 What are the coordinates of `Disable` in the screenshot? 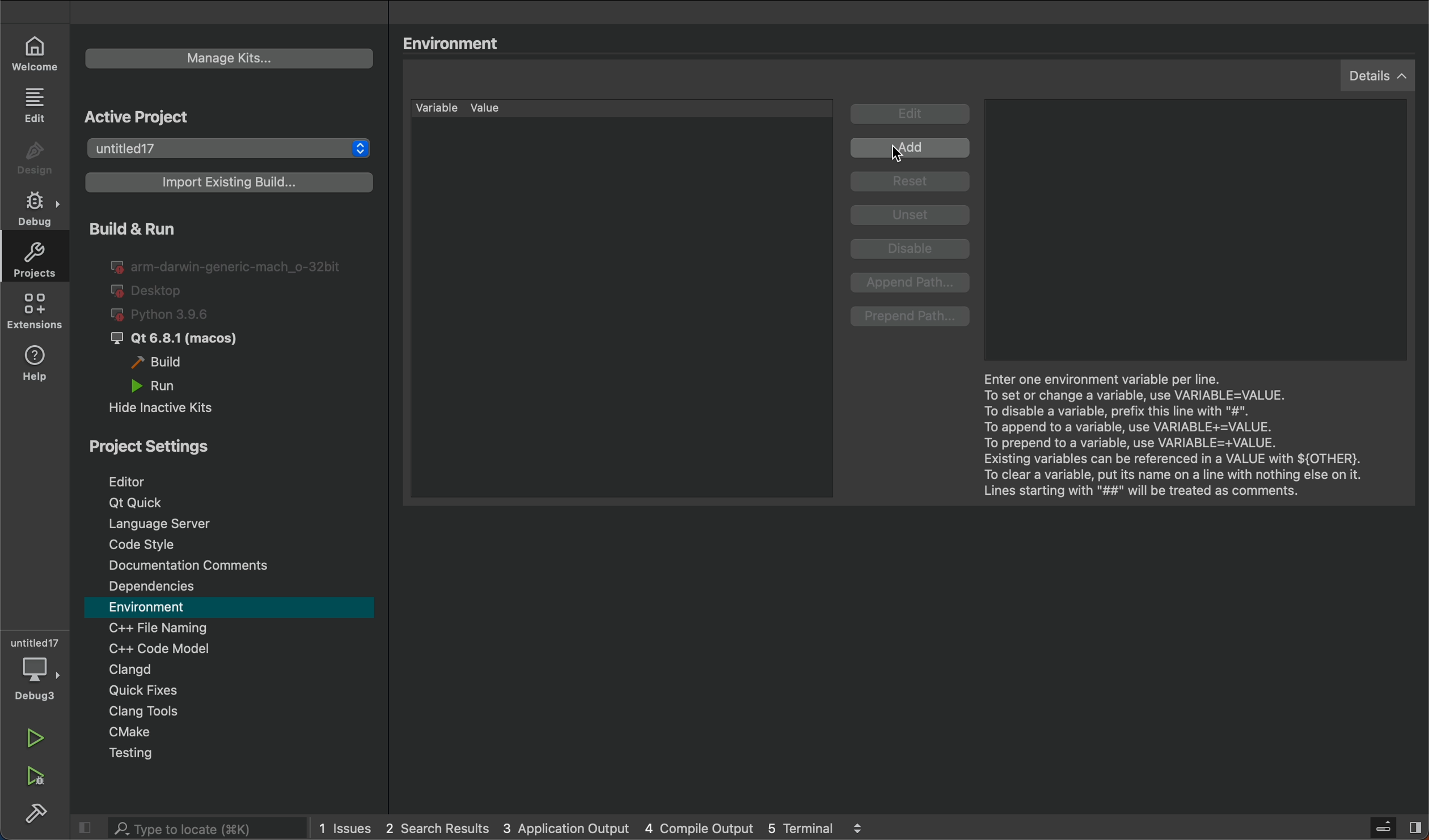 It's located at (914, 251).